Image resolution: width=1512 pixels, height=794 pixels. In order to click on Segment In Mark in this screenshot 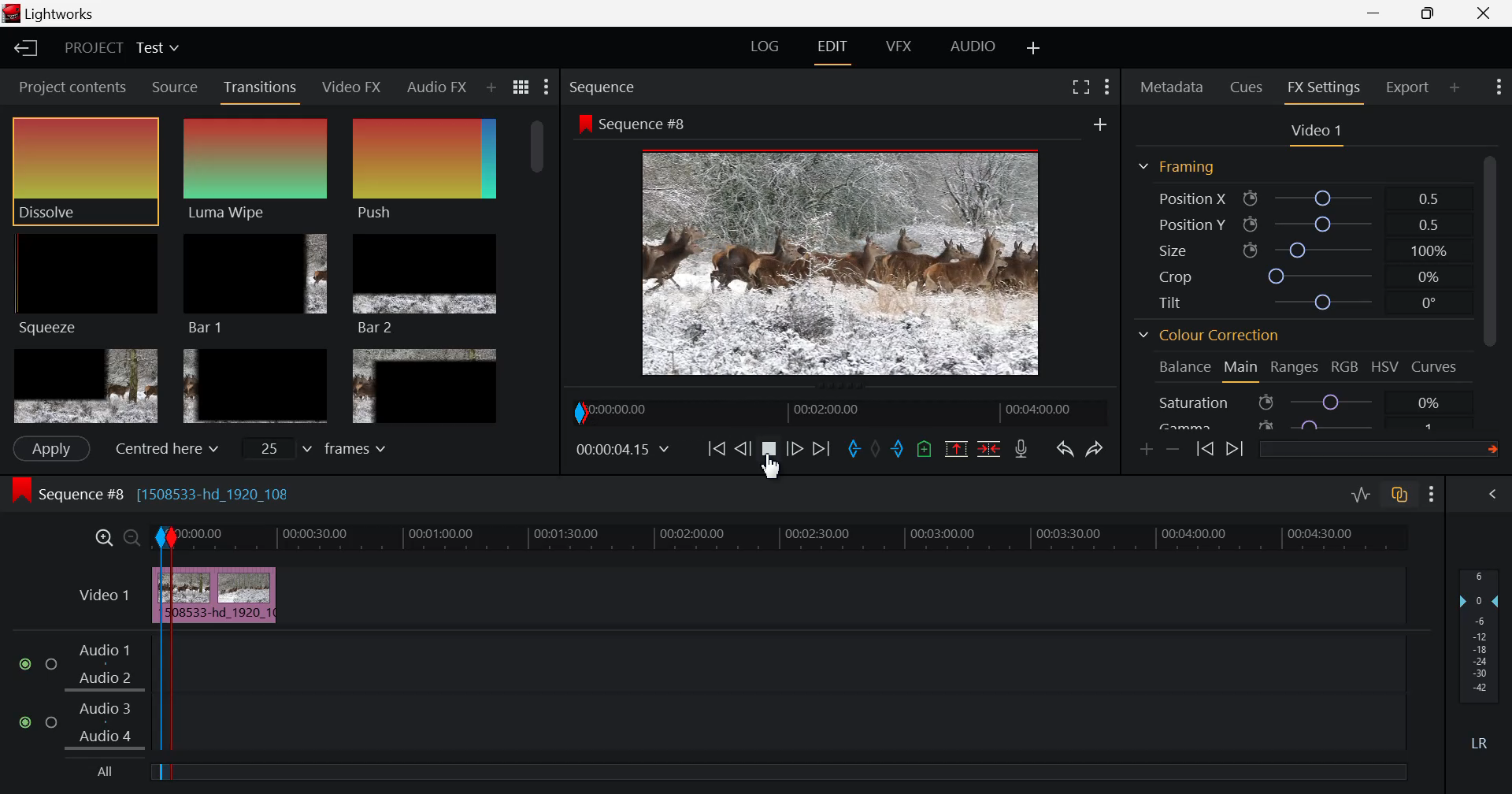, I will do `click(162, 575)`.